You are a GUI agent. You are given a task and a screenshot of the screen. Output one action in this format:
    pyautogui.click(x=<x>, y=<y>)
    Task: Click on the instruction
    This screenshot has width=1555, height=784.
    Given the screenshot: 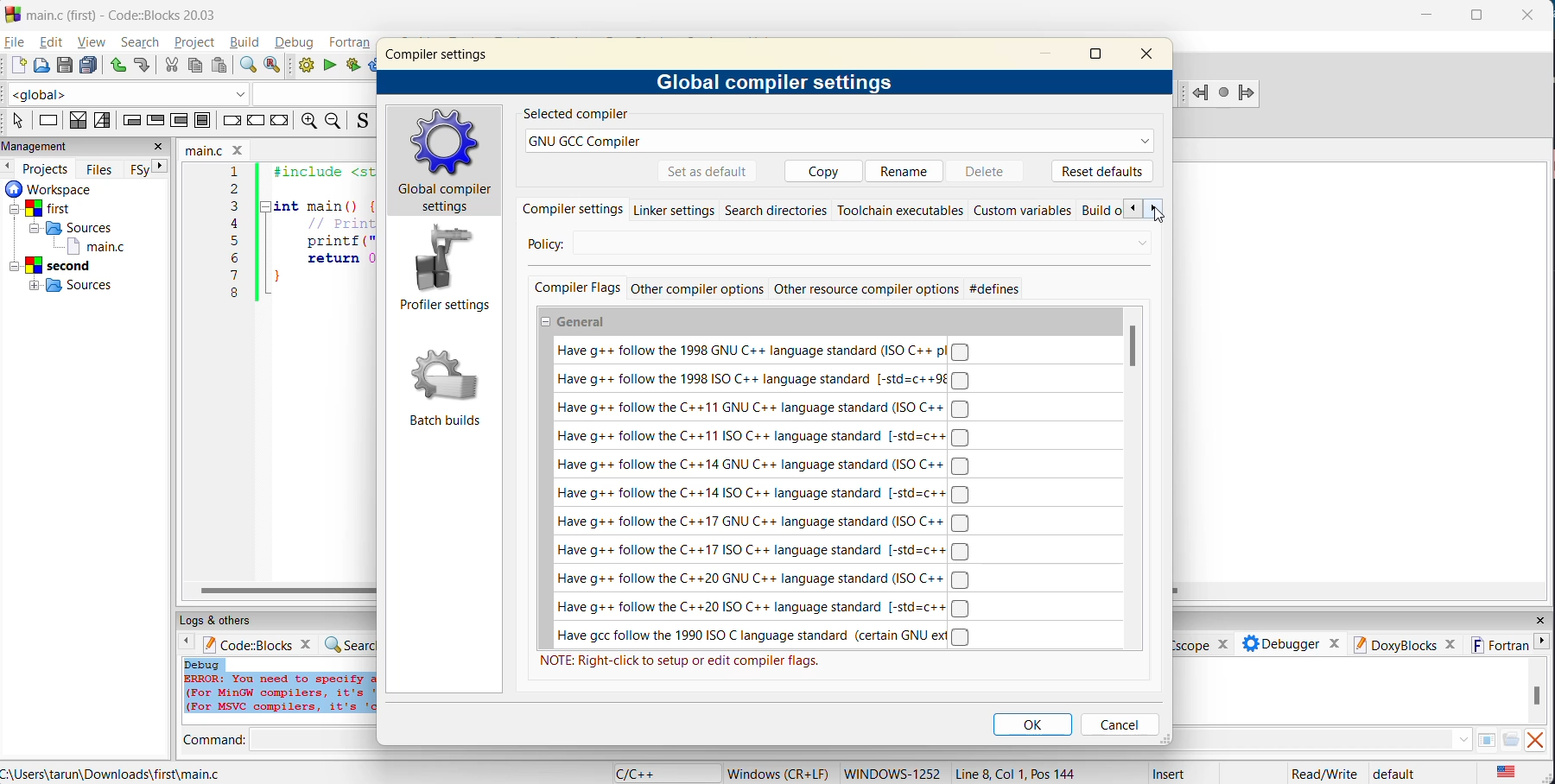 What is the action you would take?
    pyautogui.click(x=49, y=123)
    